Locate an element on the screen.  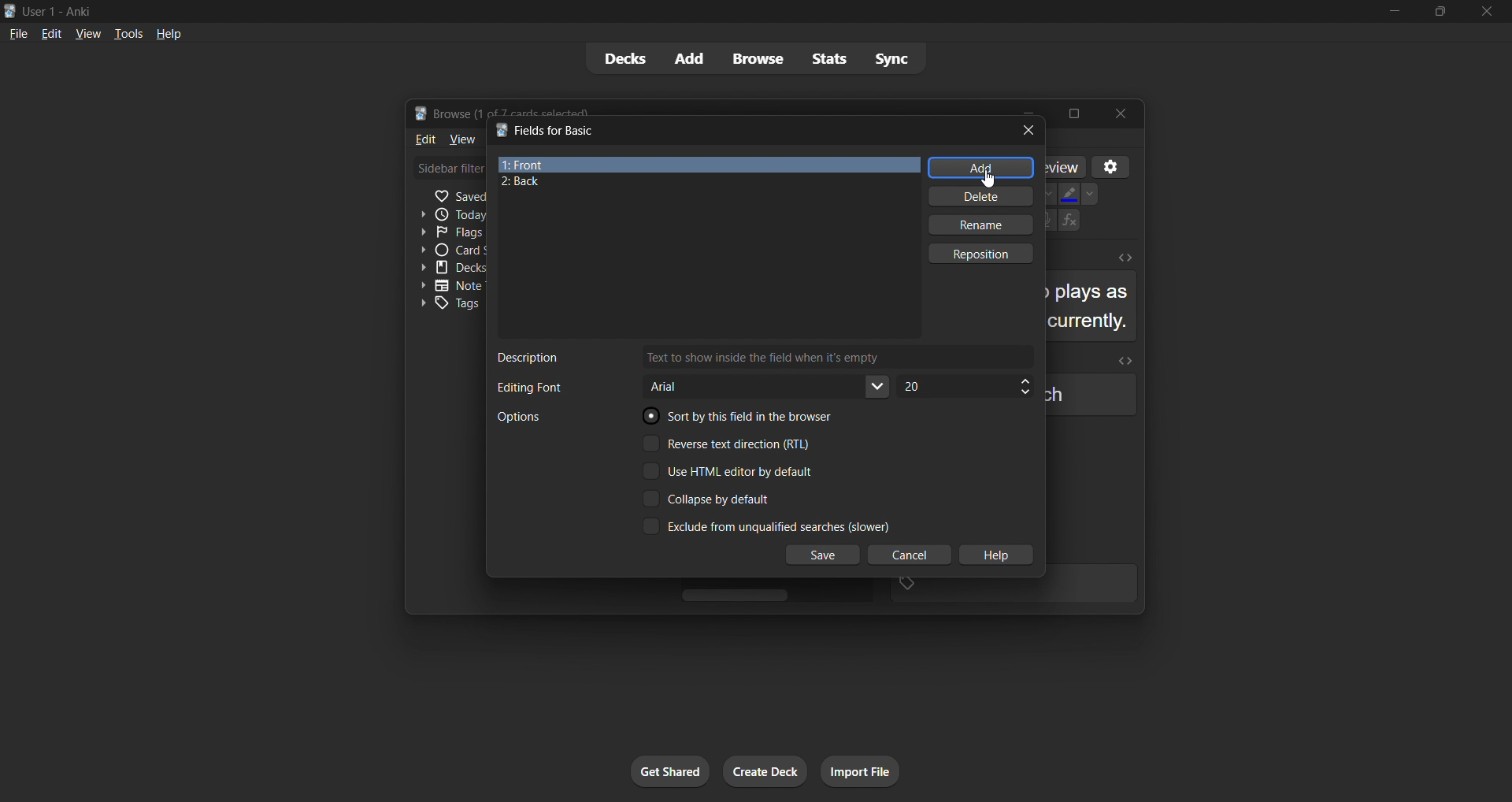
Reverse text direction(RTL) is located at coordinates (735, 444).